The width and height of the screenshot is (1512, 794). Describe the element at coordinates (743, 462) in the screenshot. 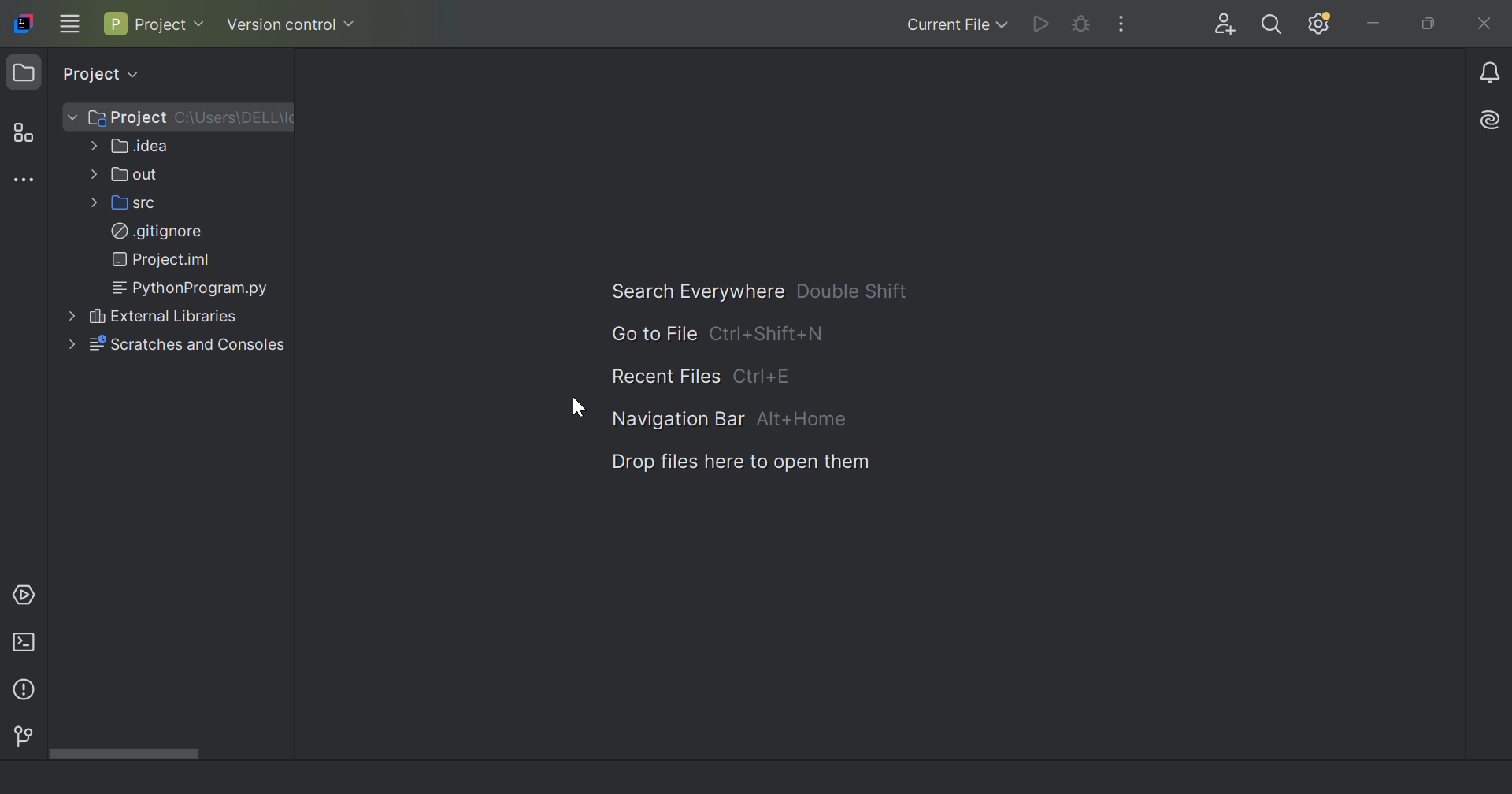

I see `Drop files here to open them` at that location.